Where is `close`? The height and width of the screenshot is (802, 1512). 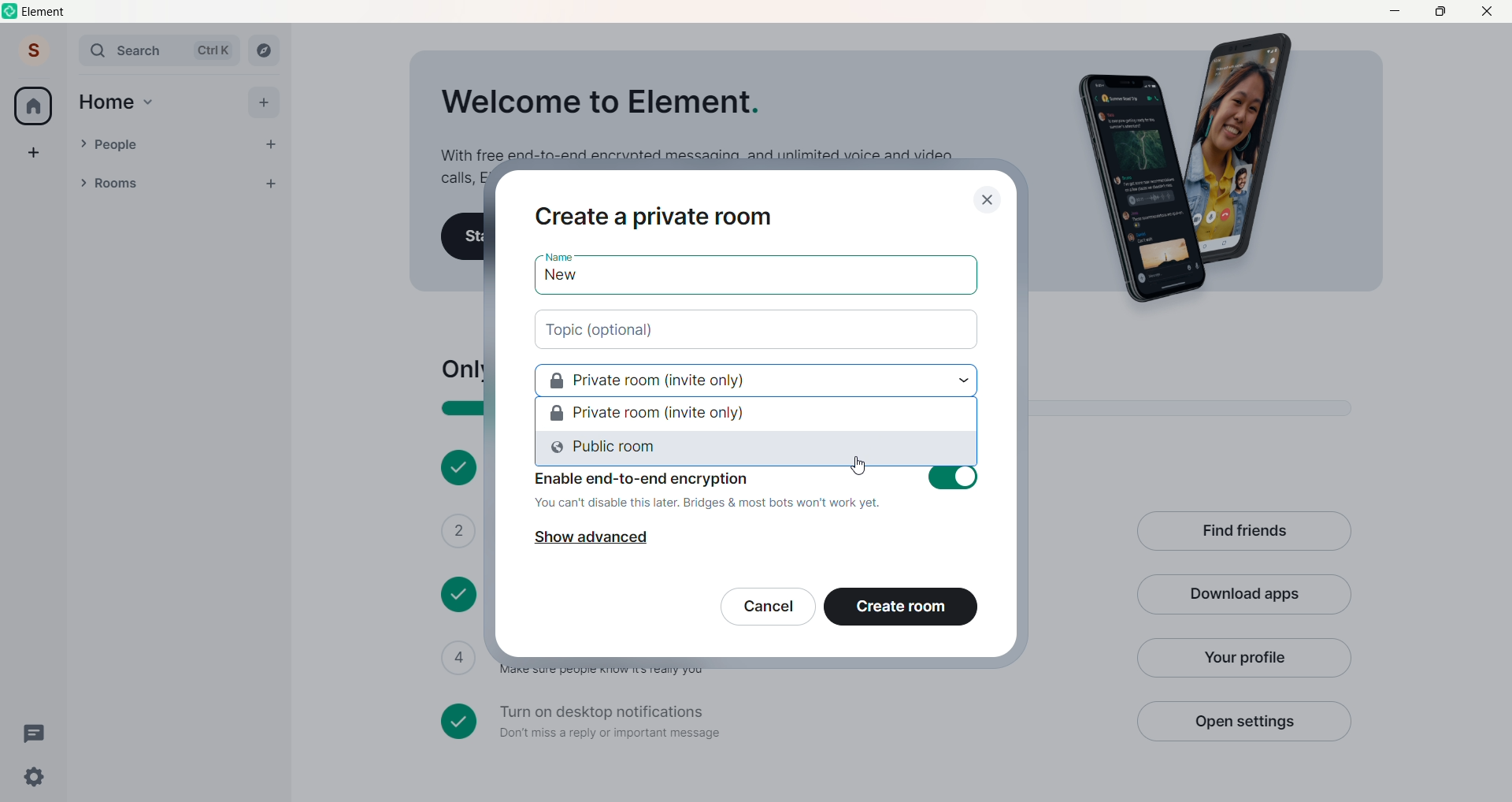 close is located at coordinates (988, 200).